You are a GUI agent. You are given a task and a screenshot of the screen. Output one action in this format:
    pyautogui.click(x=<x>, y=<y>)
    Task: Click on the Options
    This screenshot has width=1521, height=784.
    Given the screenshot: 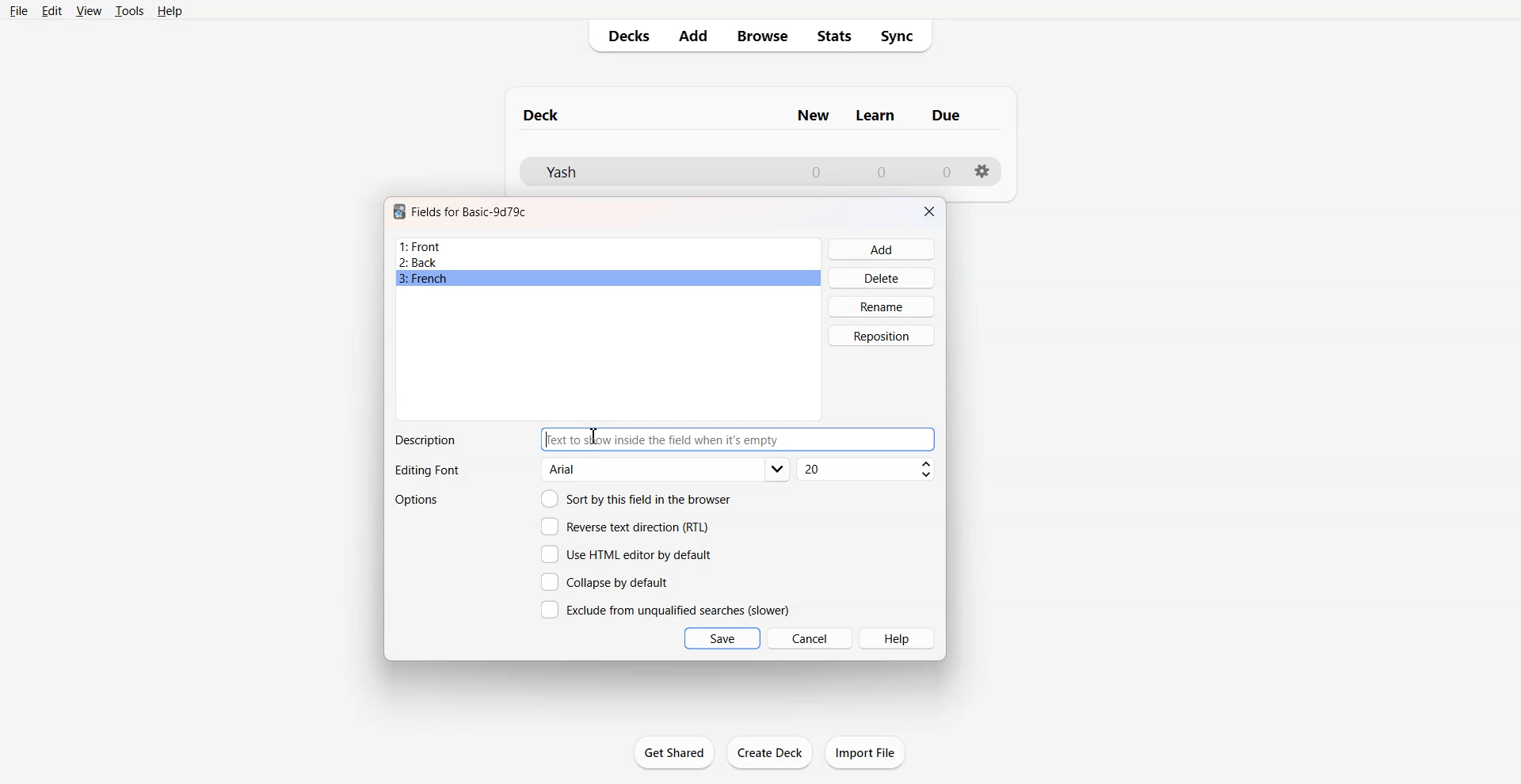 What is the action you would take?
    pyautogui.click(x=418, y=500)
    